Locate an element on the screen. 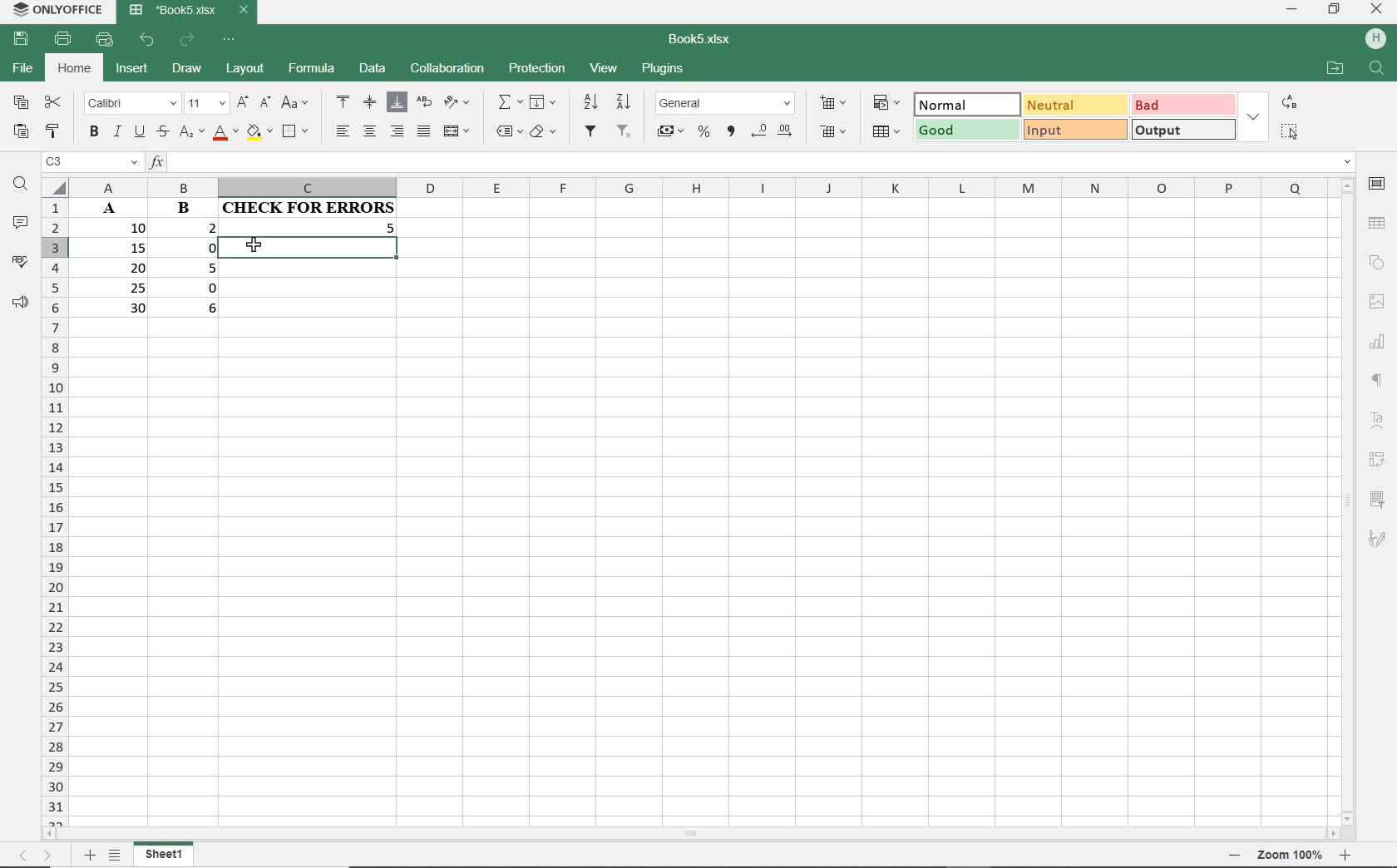  NORMAL is located at coordinates (968, 104).